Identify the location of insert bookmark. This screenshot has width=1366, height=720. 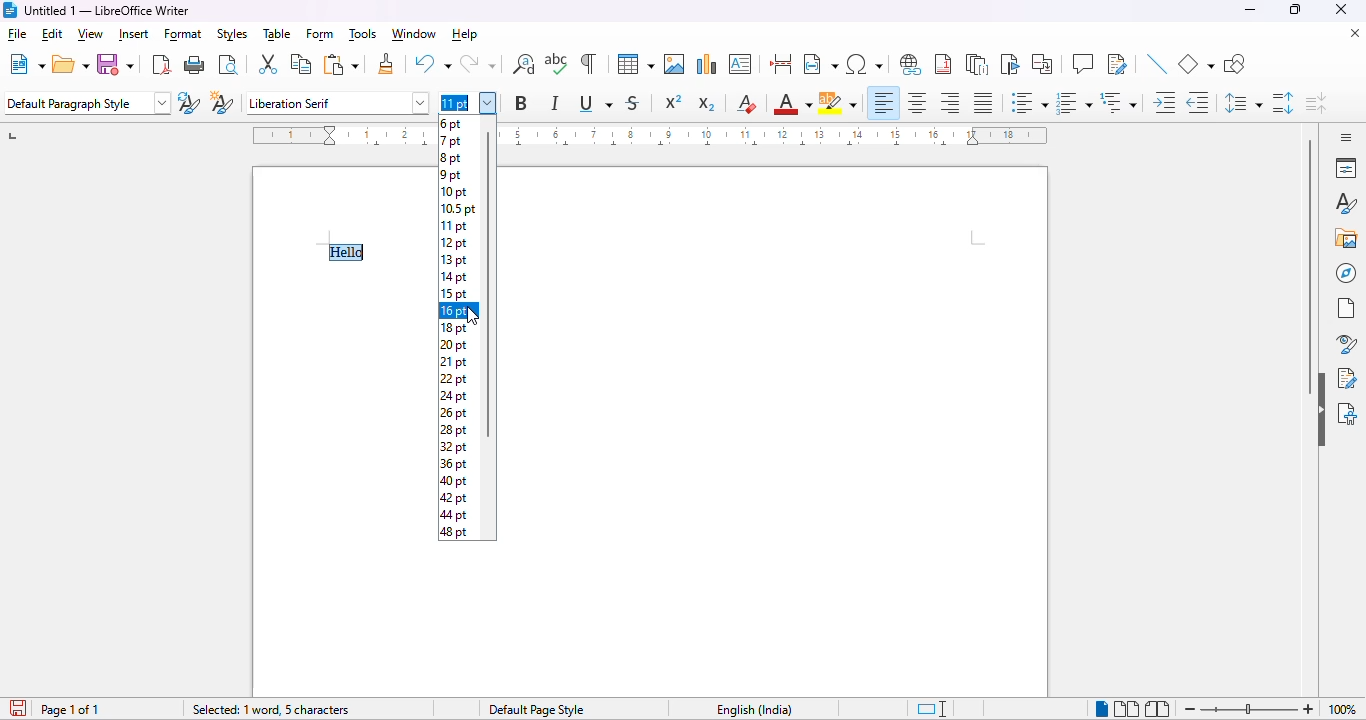
(1012, 64).